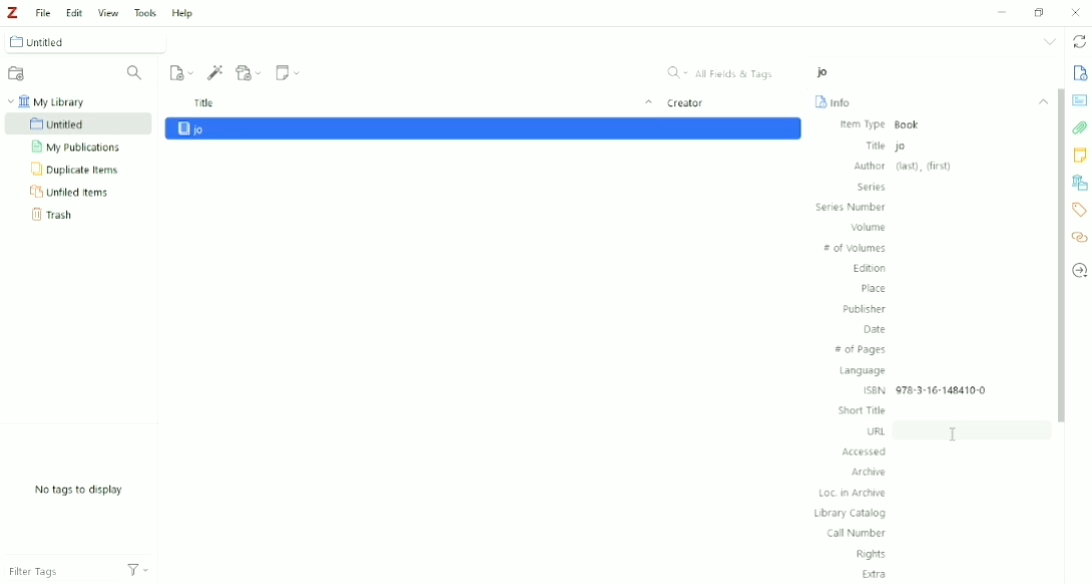 This screenshot has height=584, width=1092. Describe the element at coordinates (250, 72) in the screenshot. I see `Add Attachment` at that location.